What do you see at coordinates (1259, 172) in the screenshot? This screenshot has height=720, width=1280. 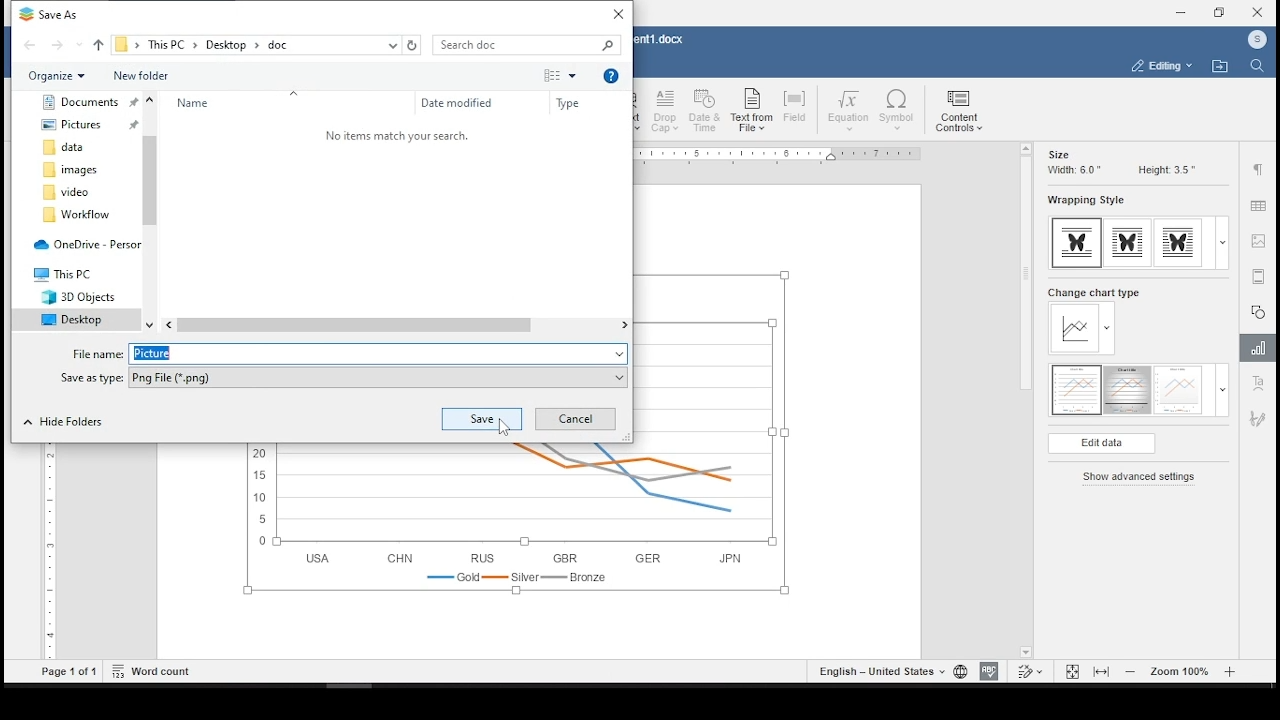 I see `paragraph settings` at bounding box center [1259, 172].